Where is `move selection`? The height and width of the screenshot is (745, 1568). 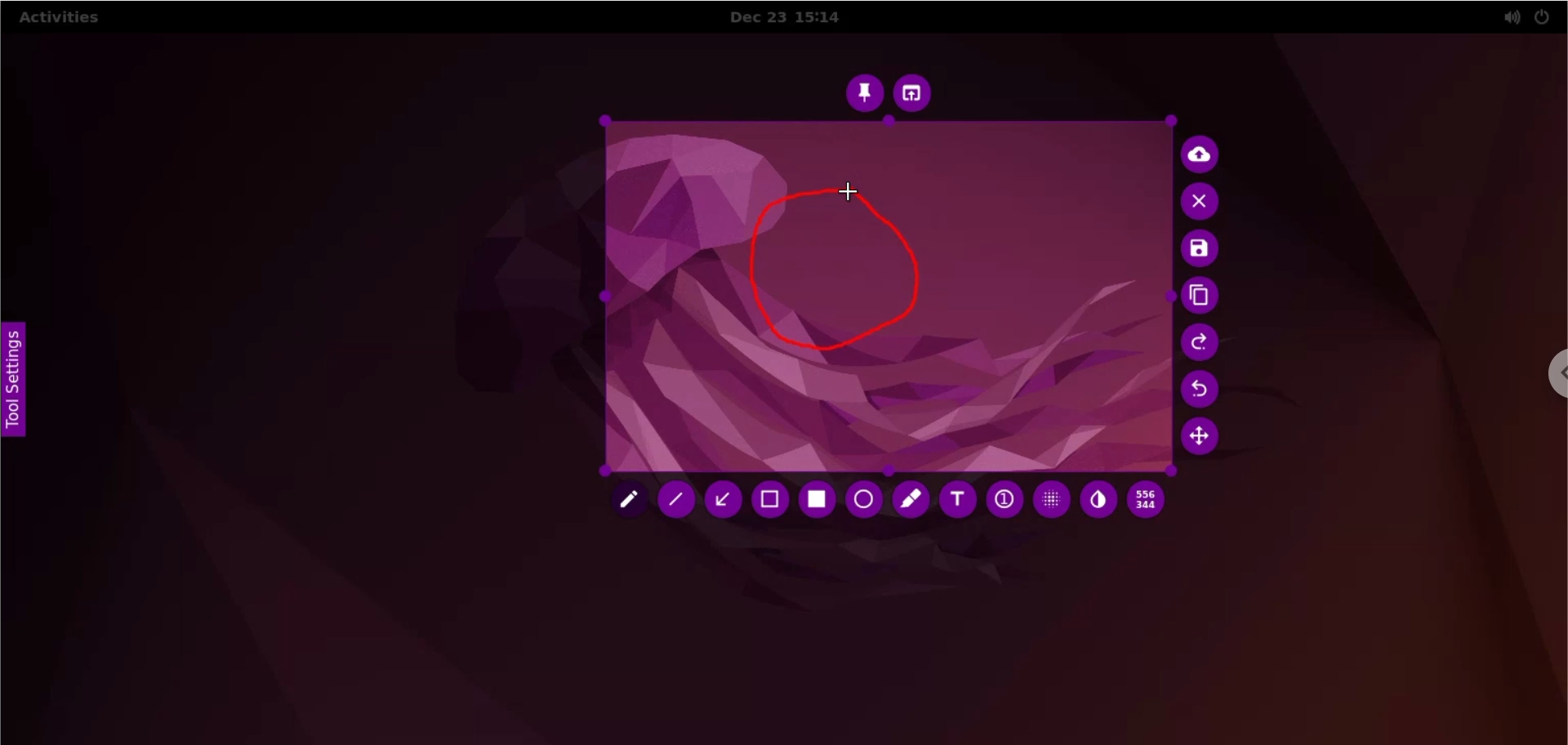 move selection is located at coordinates (1203, 440).